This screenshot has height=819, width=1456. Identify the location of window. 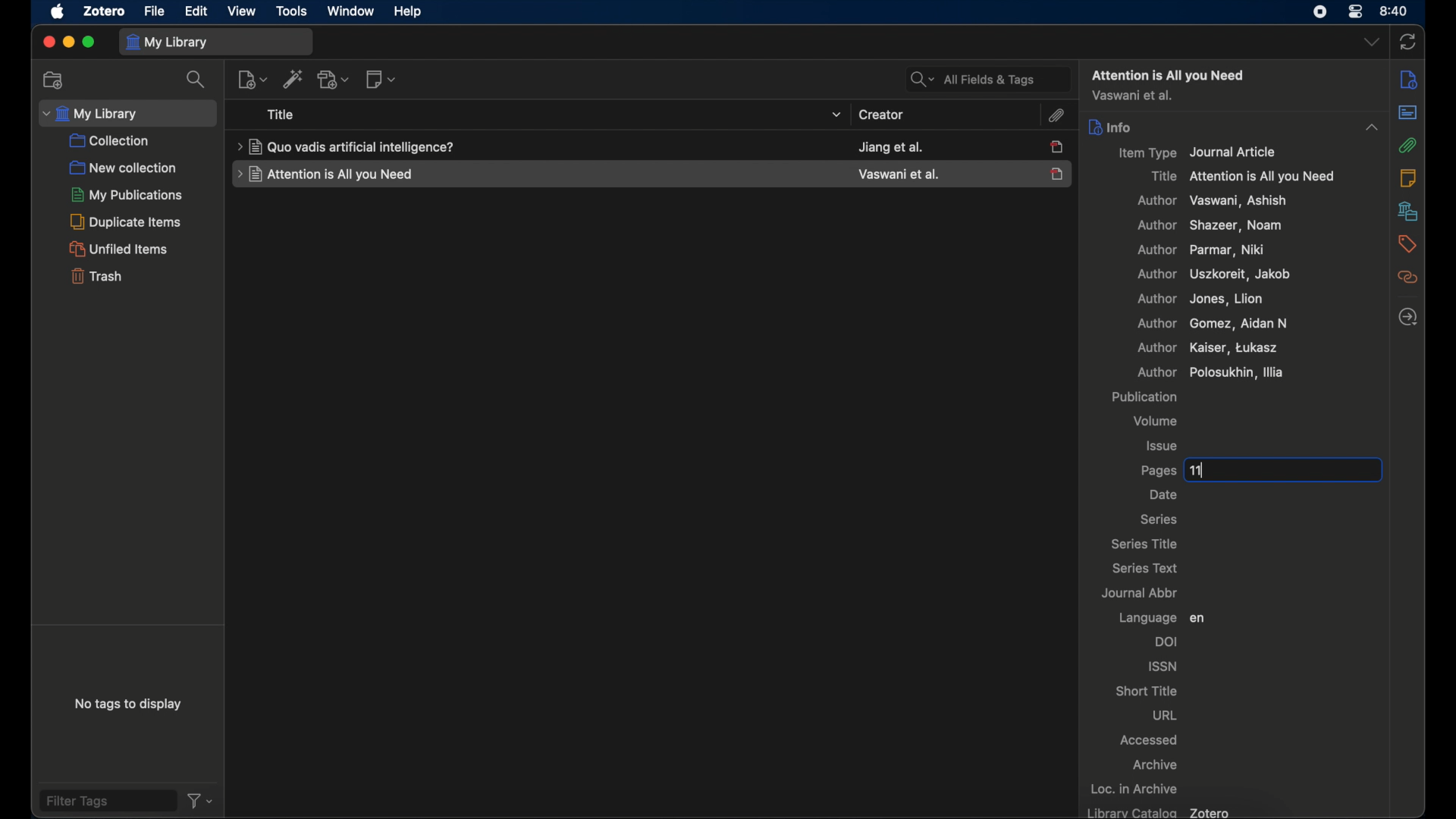
(348, 11).